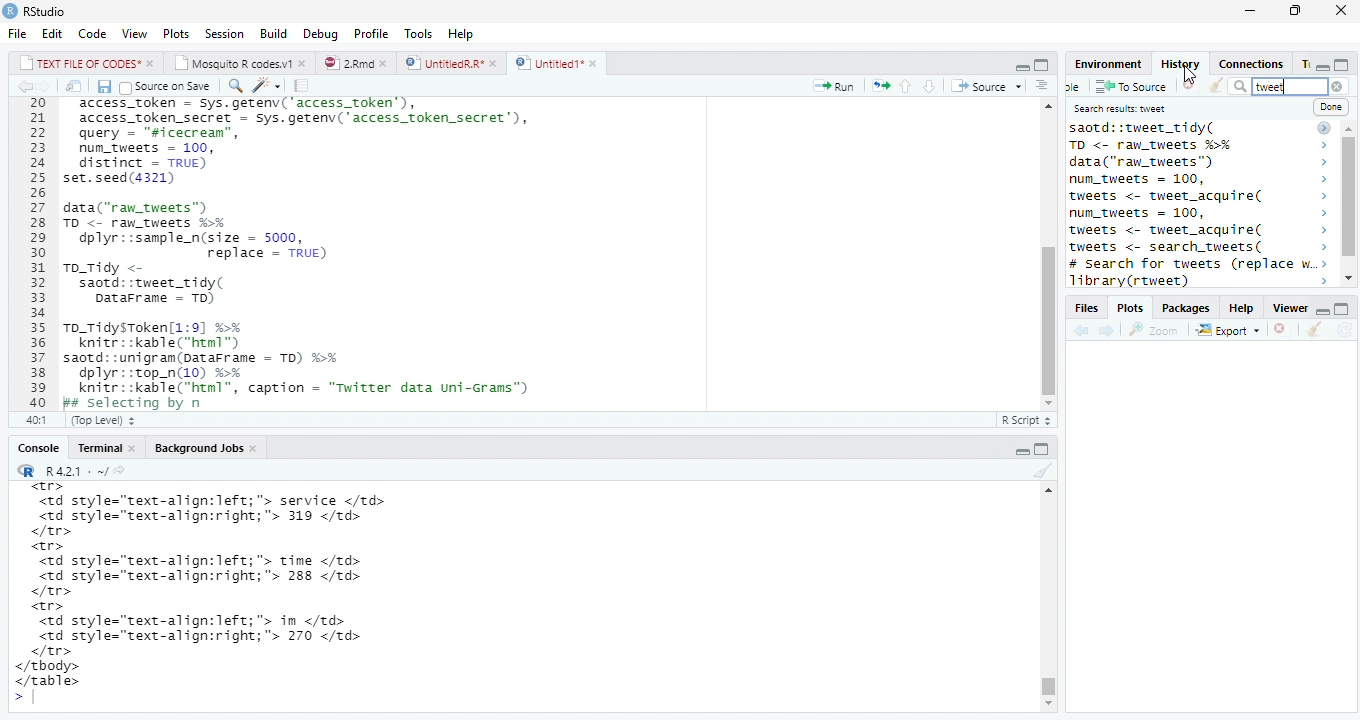 The image size is (1360, 720). What do you see at coordinates (303, 266) in the screenshot?
I see `20 access_token - Sys.getenv('access_token’),
21 access_token_secret - sys.getenv( access_token secret’),
22 query - "sicecrean”,

23 num_tweets = 100,

24 distinct = TRUE)

25 set.seed(4321)

26

27 data("raw_tweets")

28 TD <- raw tweets H¥

29 dplyr::sample_n(size = 5000,

30 replace = TRUE)

31 To_Tidy <-

32 saotd::tweet_tidy(

33 Datarrame - TD)

34

35 To_TidysToken[1:9] %%

36 knitr::kable("html™)

37 saotd: :unigram(pataFrame = TD) %>%

38 dplyr::top_n(10) %%

39 knitr::kable("html”, caption = "Twitter data uni-Grams")
40 Bs selecting bv n` at bounding box center [303, 266].